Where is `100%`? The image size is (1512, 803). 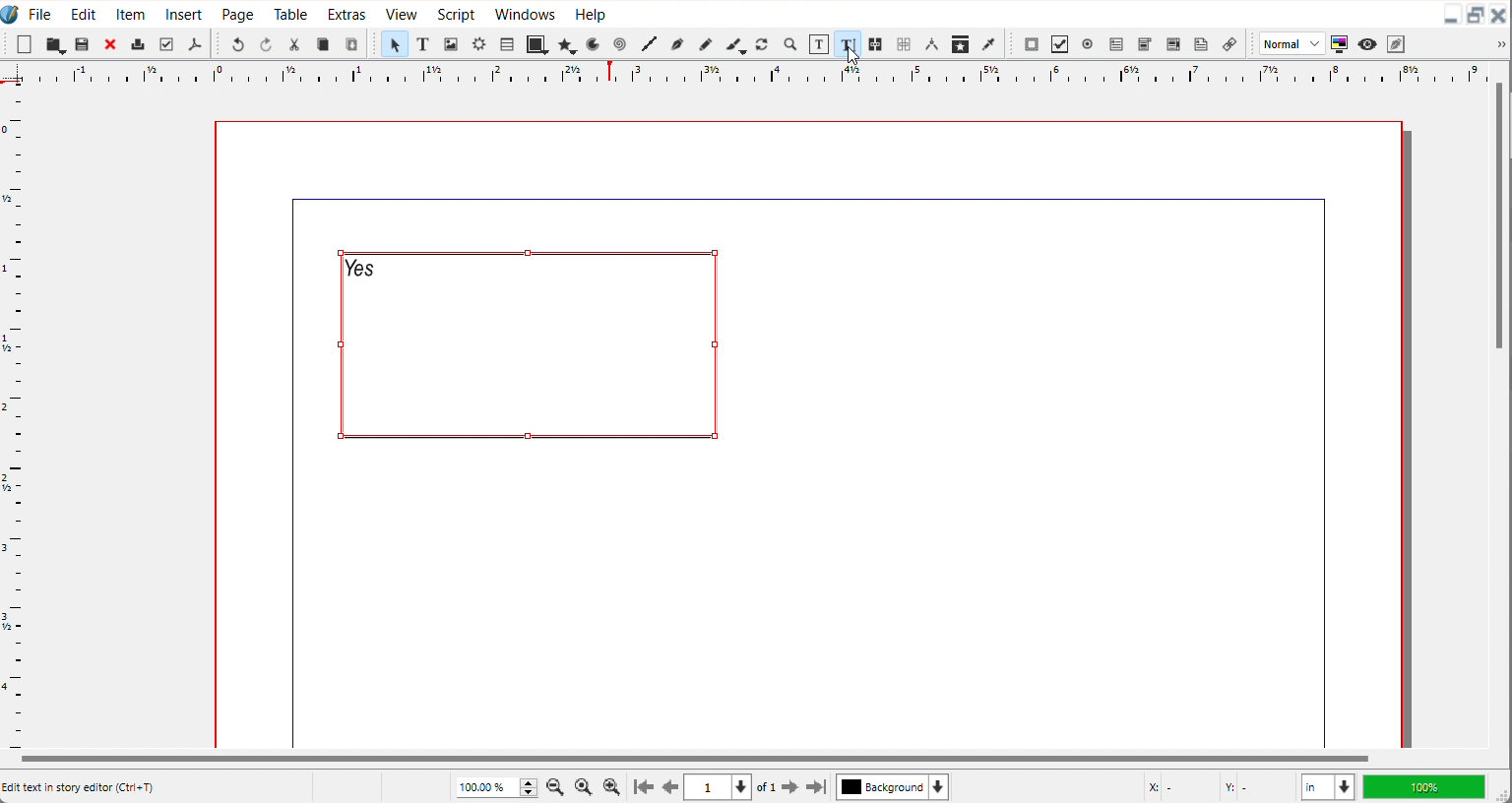 100% is located at coordinates (1423, 786).